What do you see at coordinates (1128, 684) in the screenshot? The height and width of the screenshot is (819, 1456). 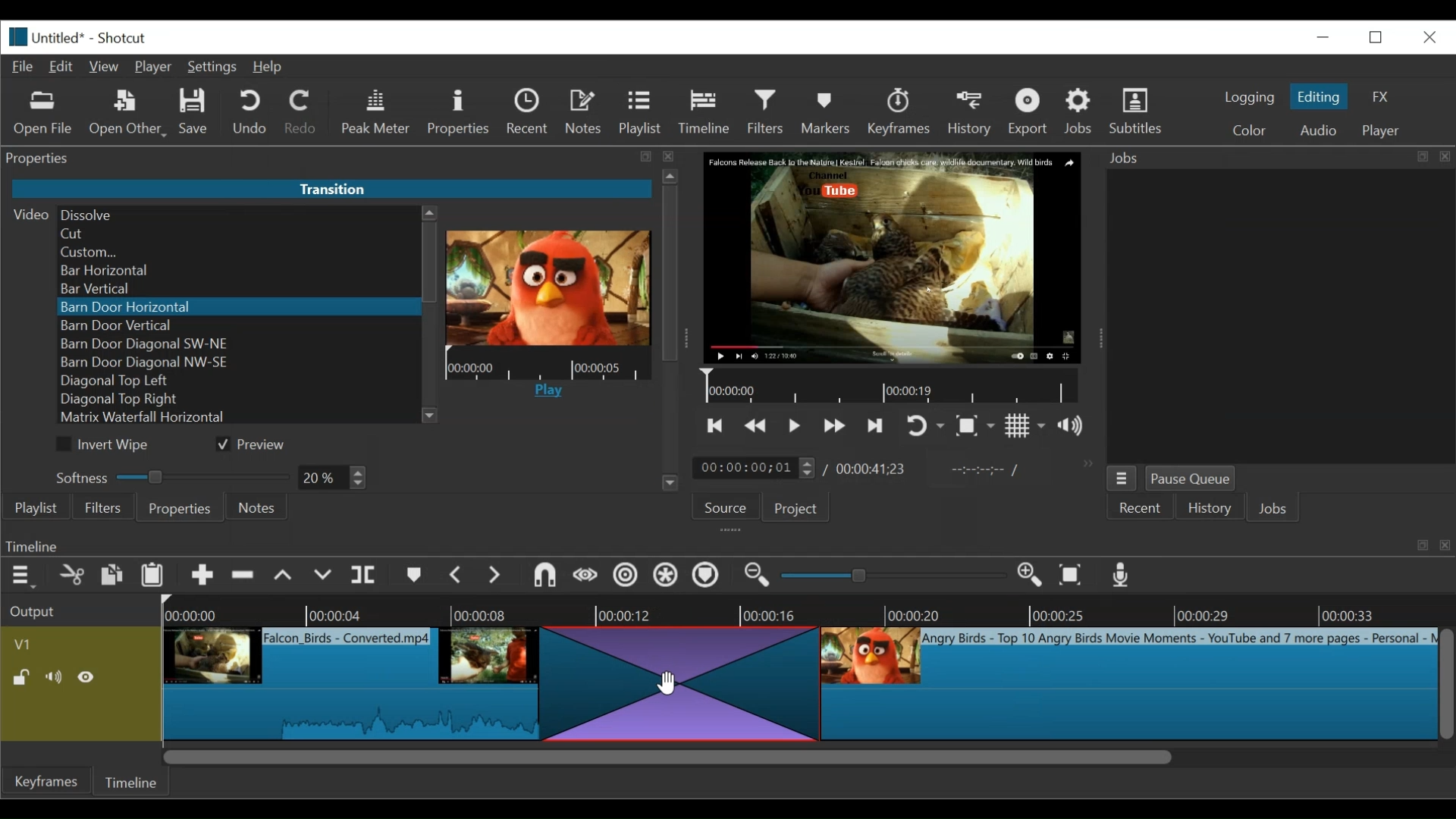 I see `Clip` at bounding box center [1128, 684].